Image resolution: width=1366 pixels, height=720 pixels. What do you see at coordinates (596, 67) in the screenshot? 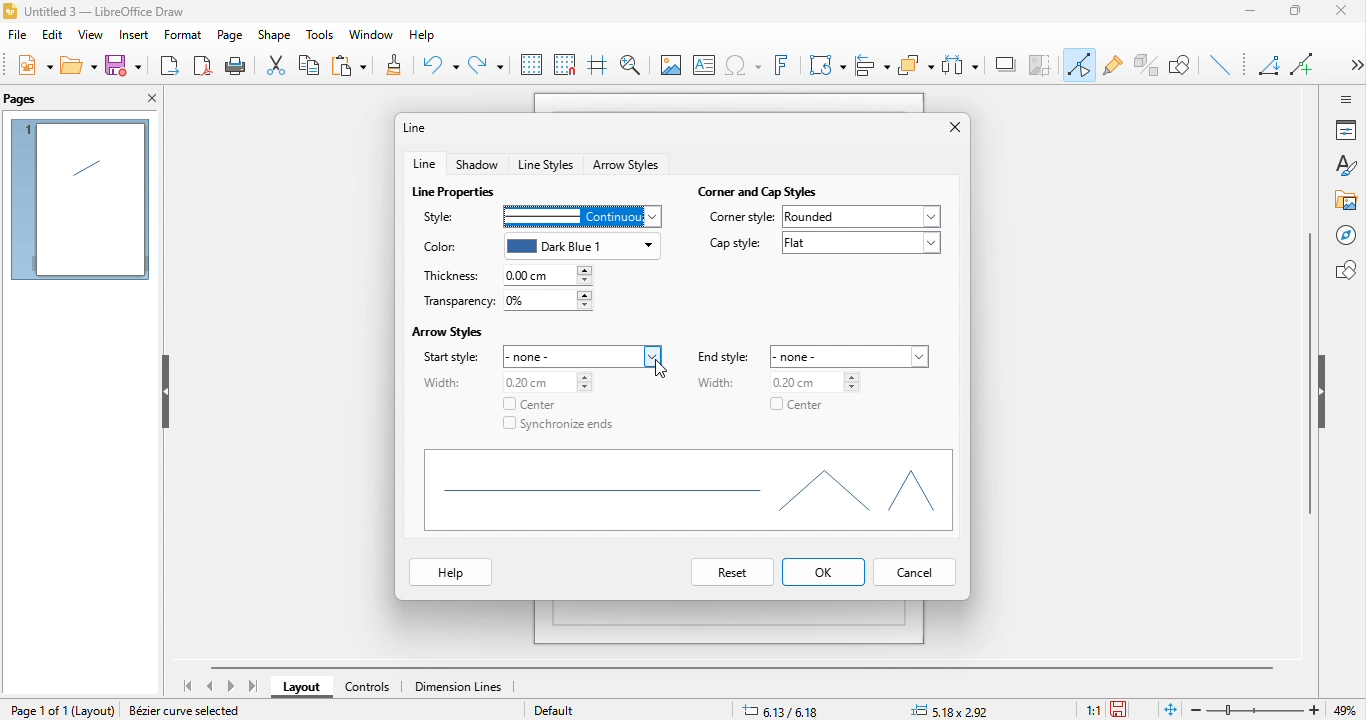
I see `helpline while moving` at bounding box center [596, 67].